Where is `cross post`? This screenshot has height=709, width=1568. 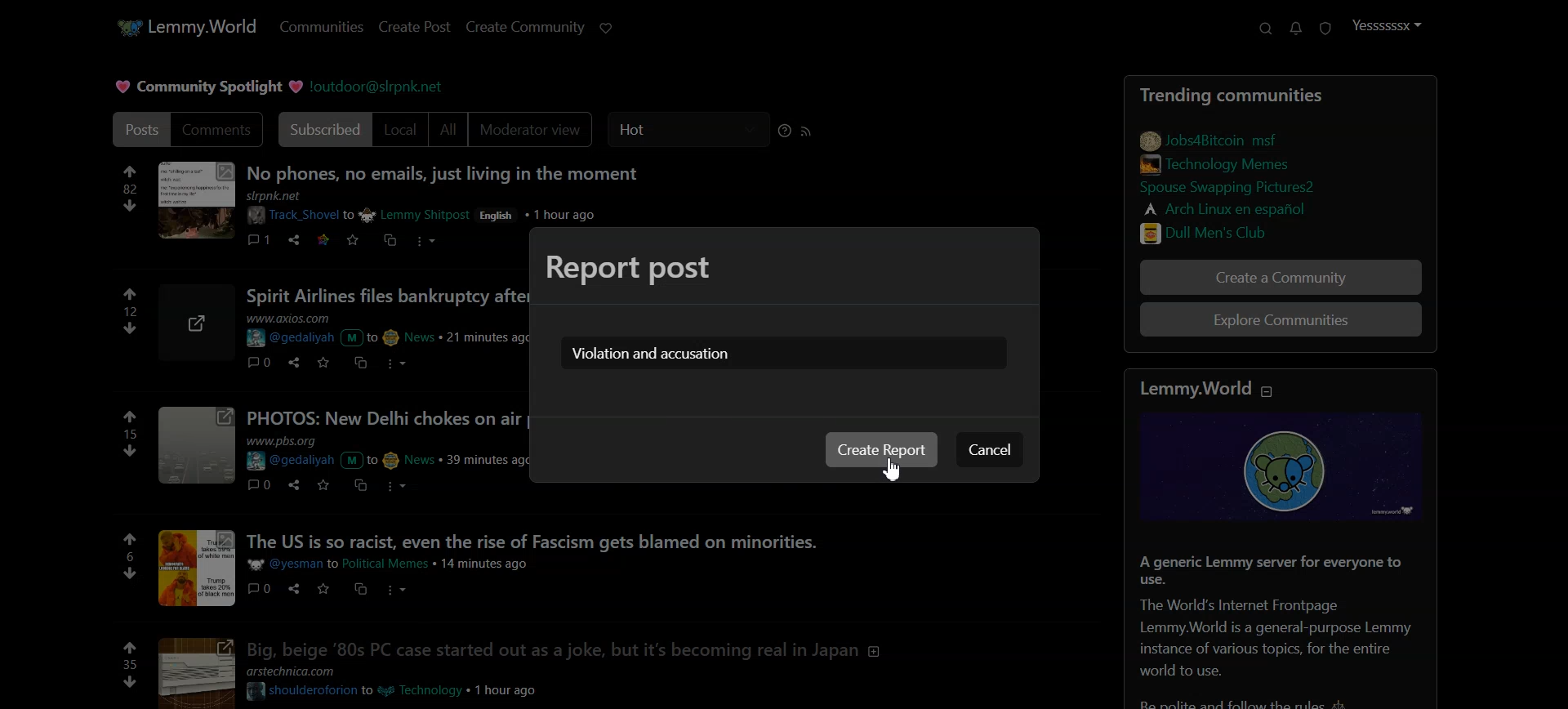 cross post is located at coordinates (359, 486).